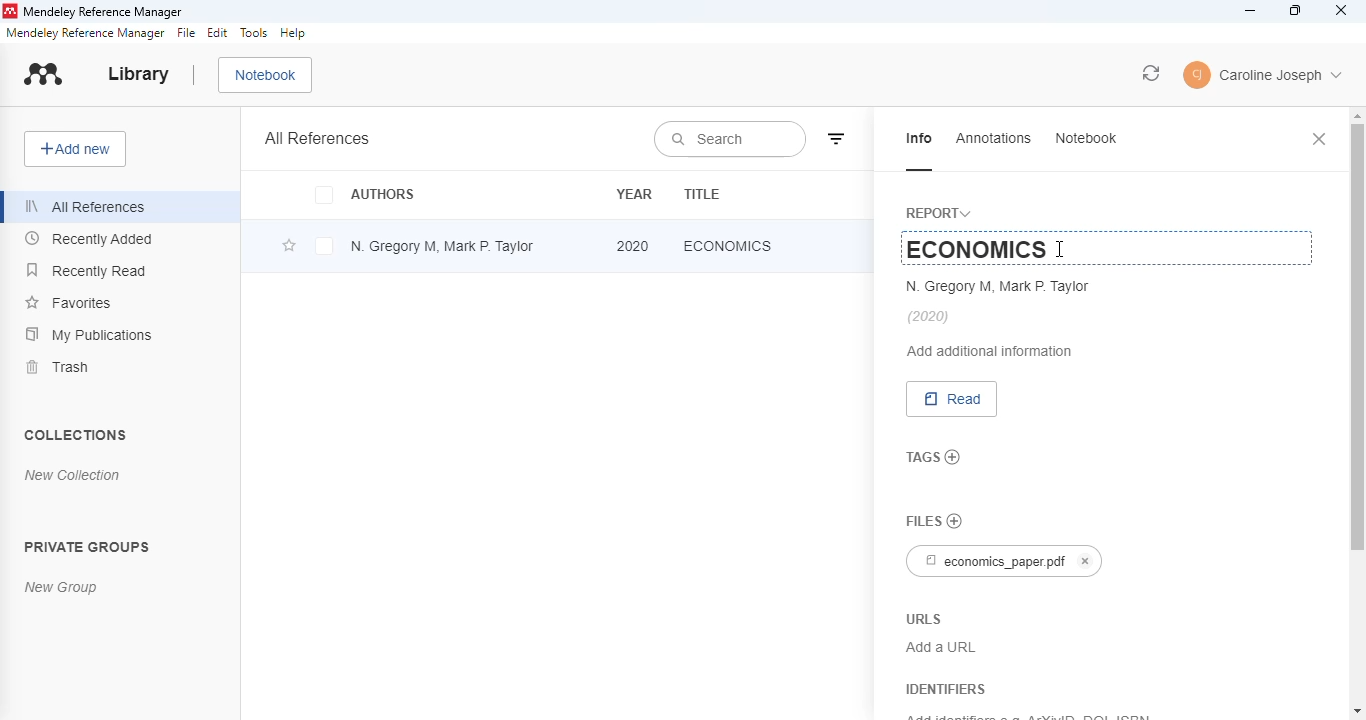 This screenshot has height=720, width=1366. Describe the element at coordinates (61, 586) in the screenshot. I see `new group` at that location.